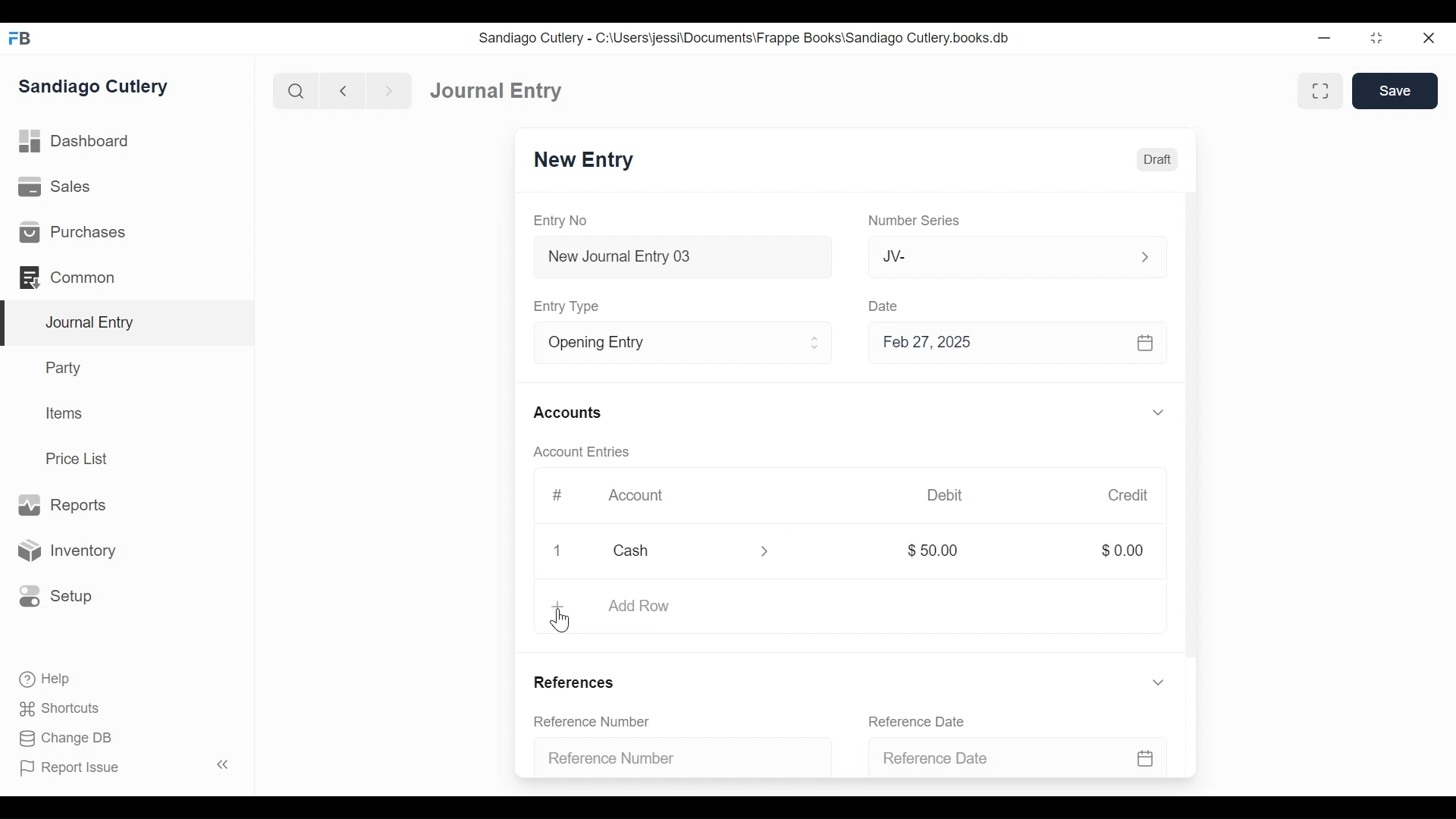  What do you see at coordinates (921, 720) in the screenshot?
I see `Reference Date` at bounding box center [921, 720].